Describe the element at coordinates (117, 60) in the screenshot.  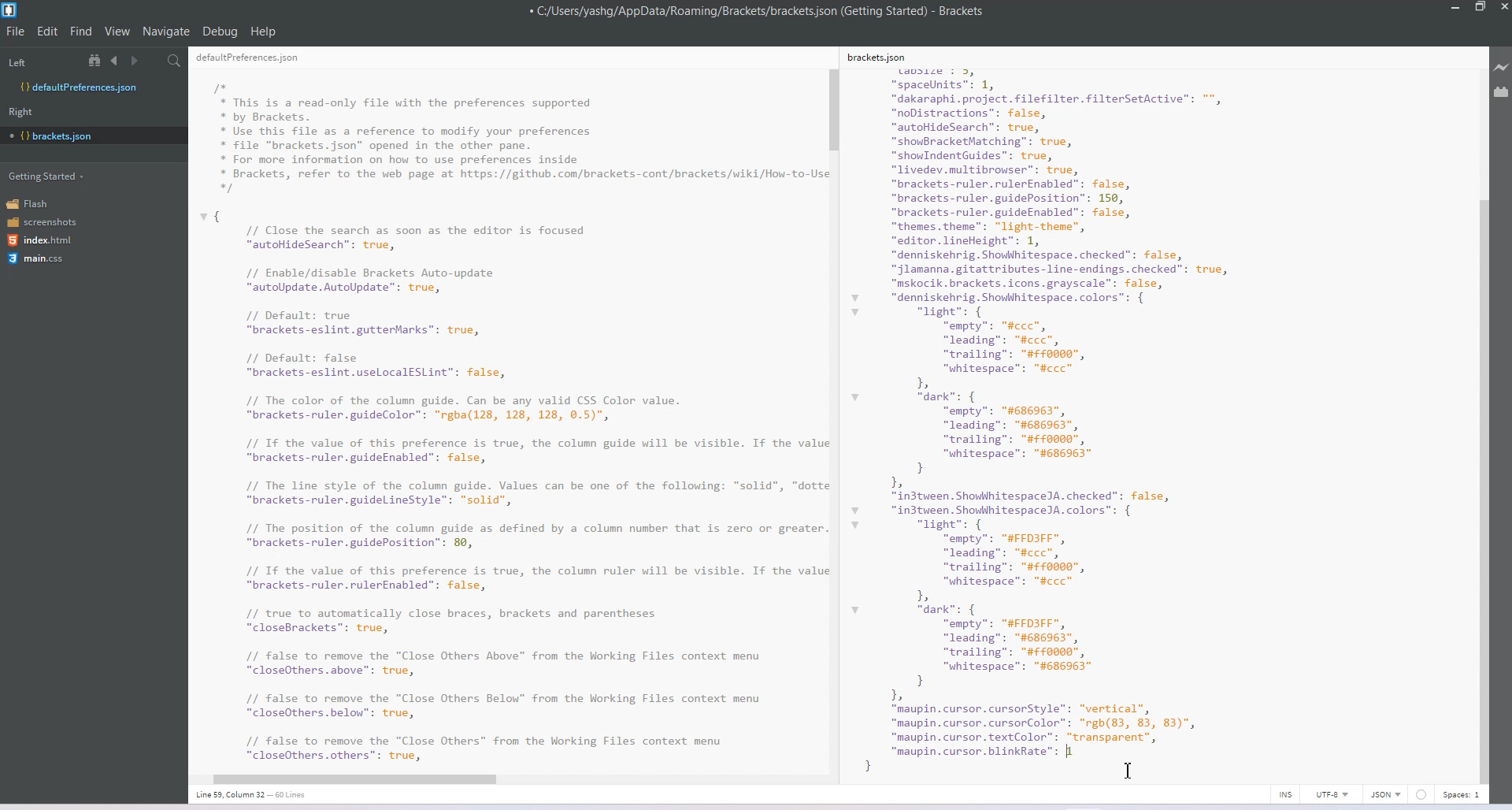
I see `Navigate Backward` at that location.